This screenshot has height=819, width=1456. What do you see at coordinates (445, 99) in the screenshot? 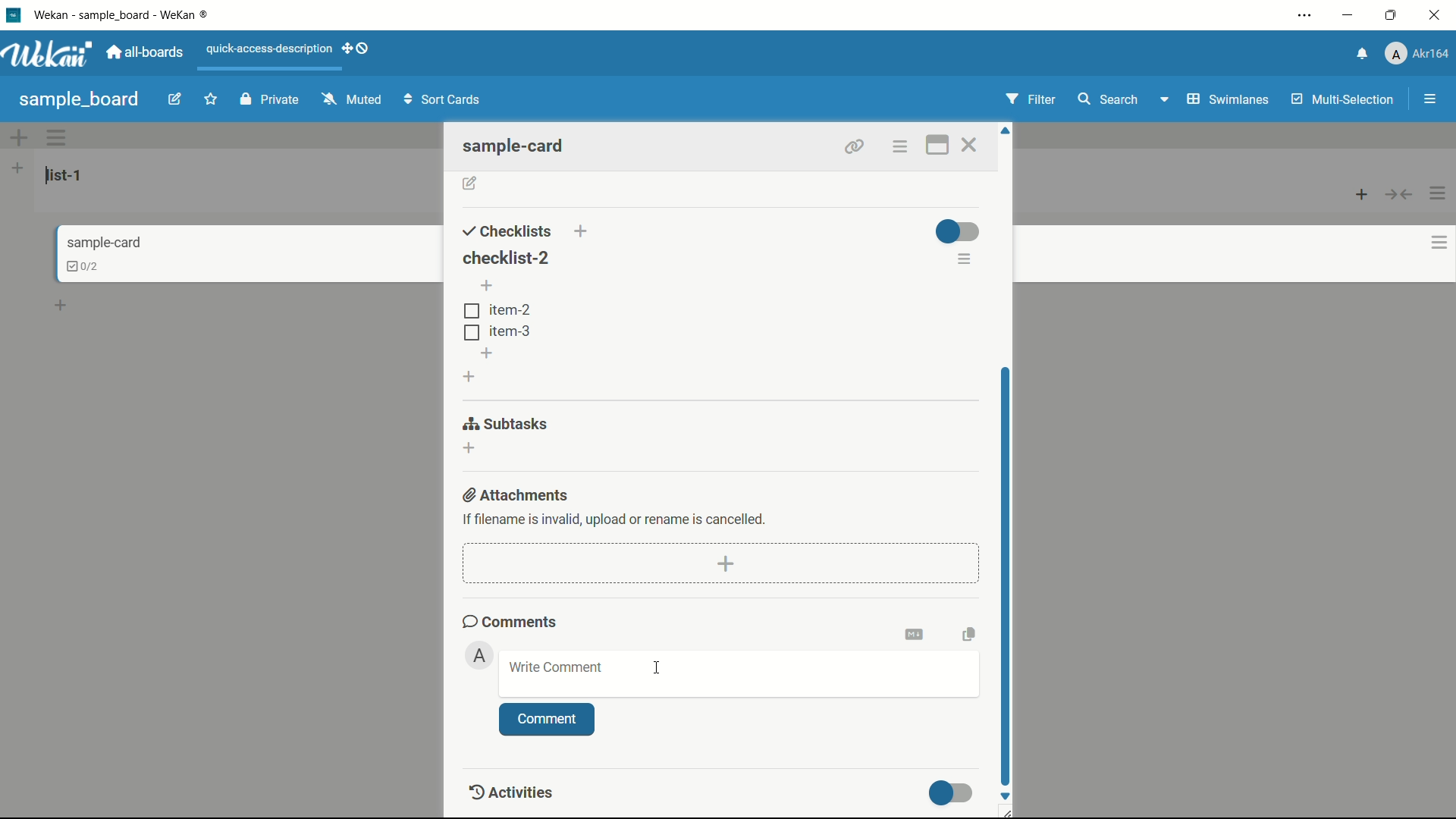
I see `Sort Cards` at bounding box center [445, 99].